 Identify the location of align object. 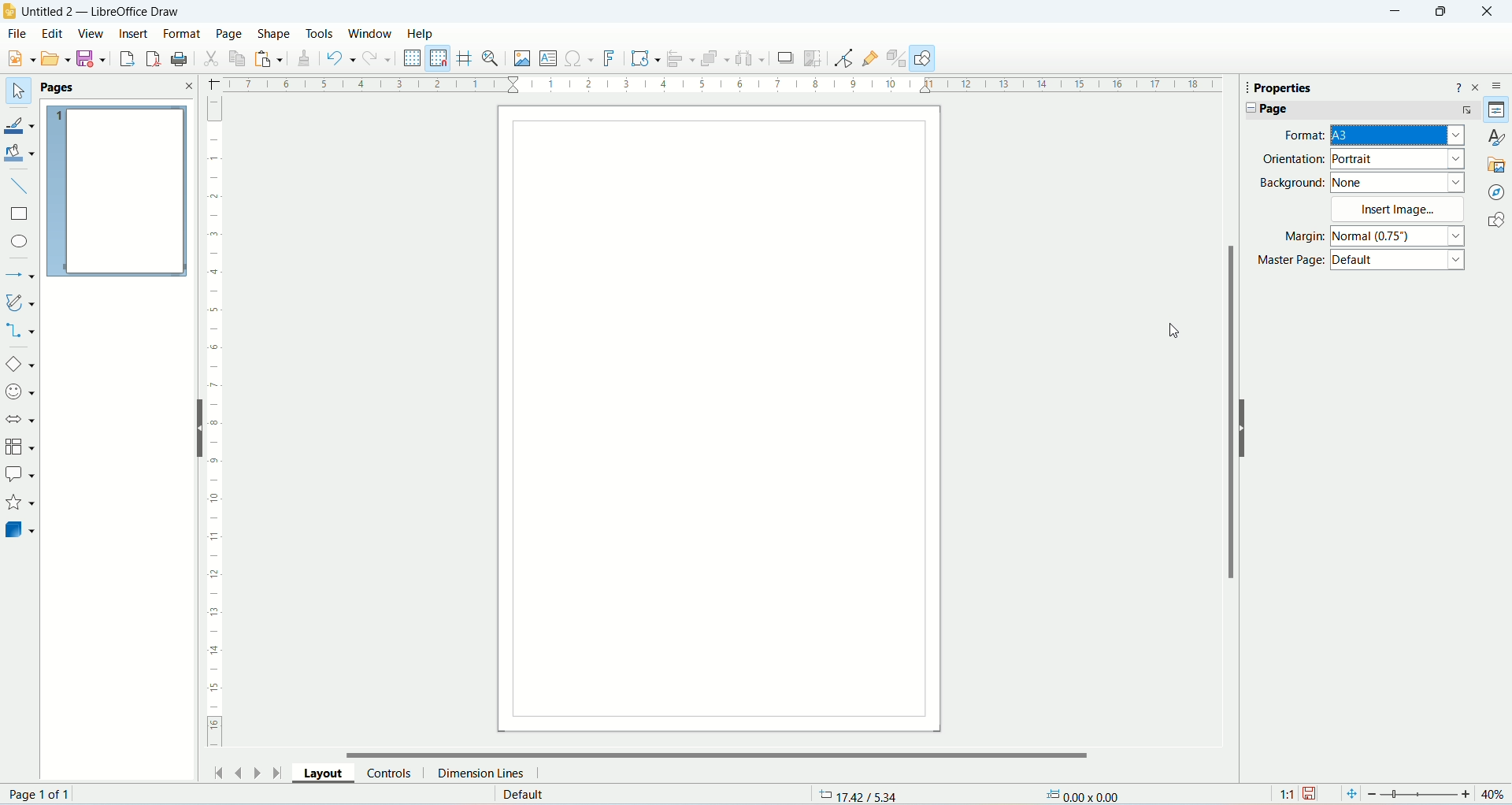
(680, 61).